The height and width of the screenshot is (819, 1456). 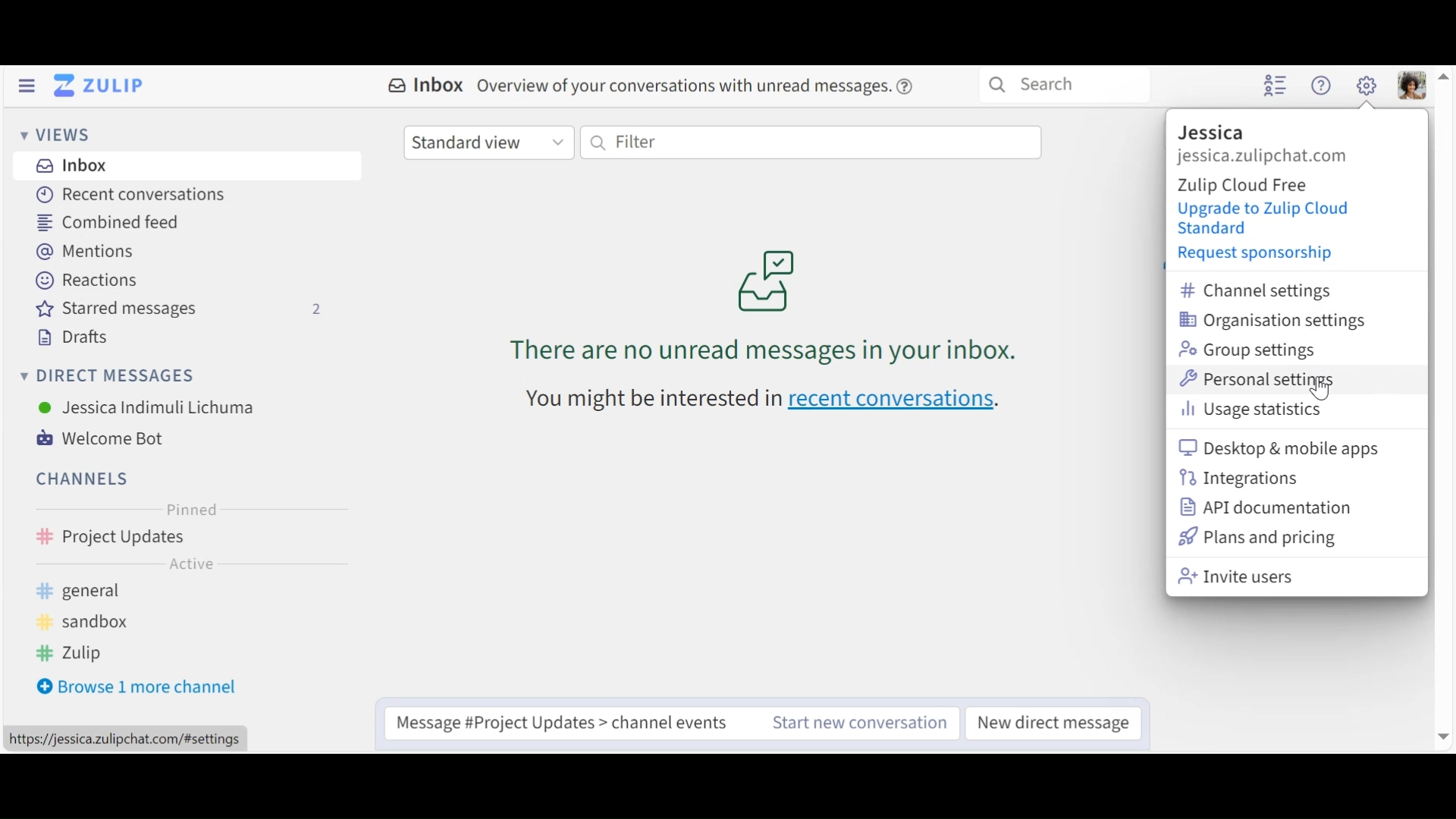 I want to click on Direct Messages, so click(x=107, y=377).